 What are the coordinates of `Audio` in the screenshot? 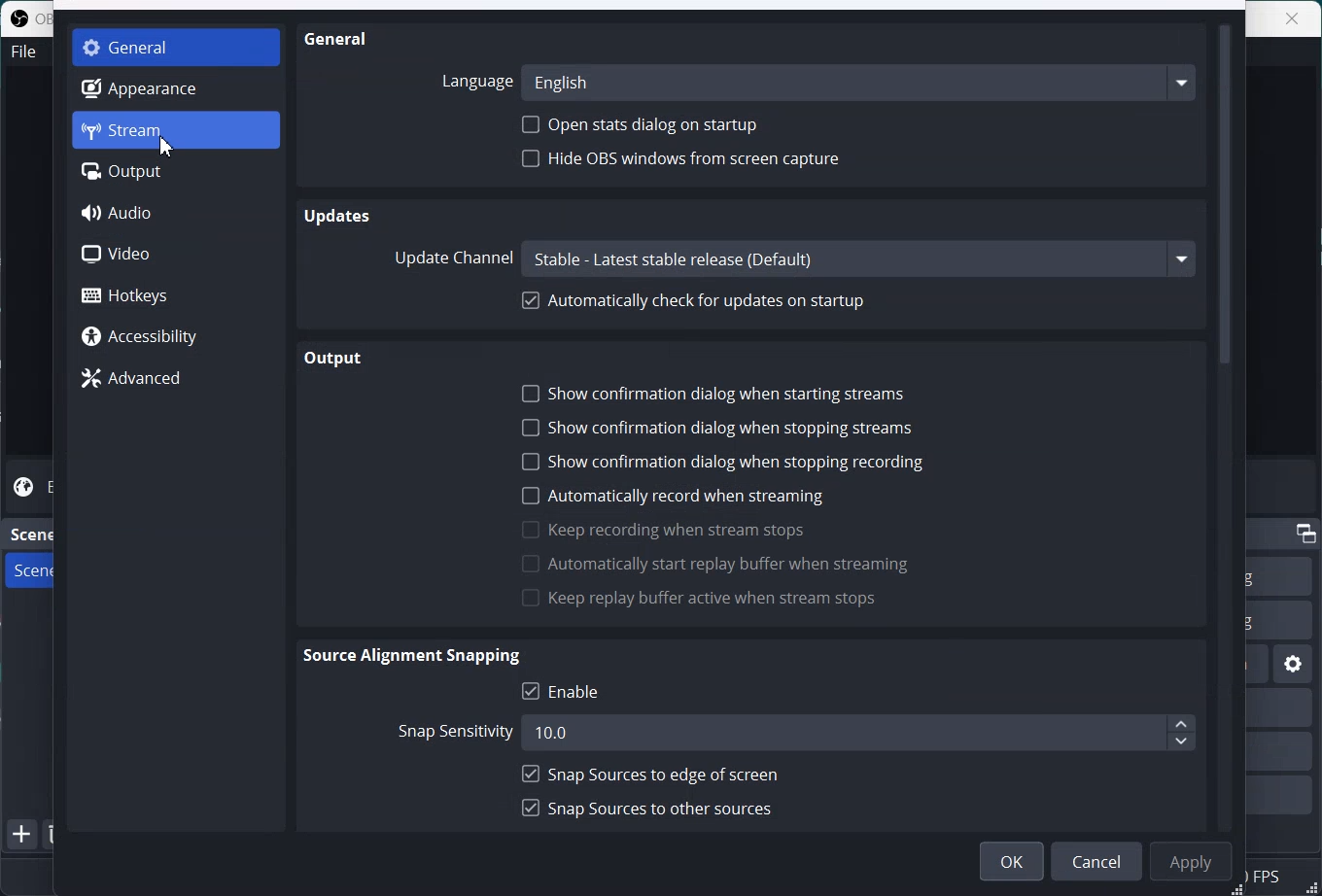 It's located at (177, 213).